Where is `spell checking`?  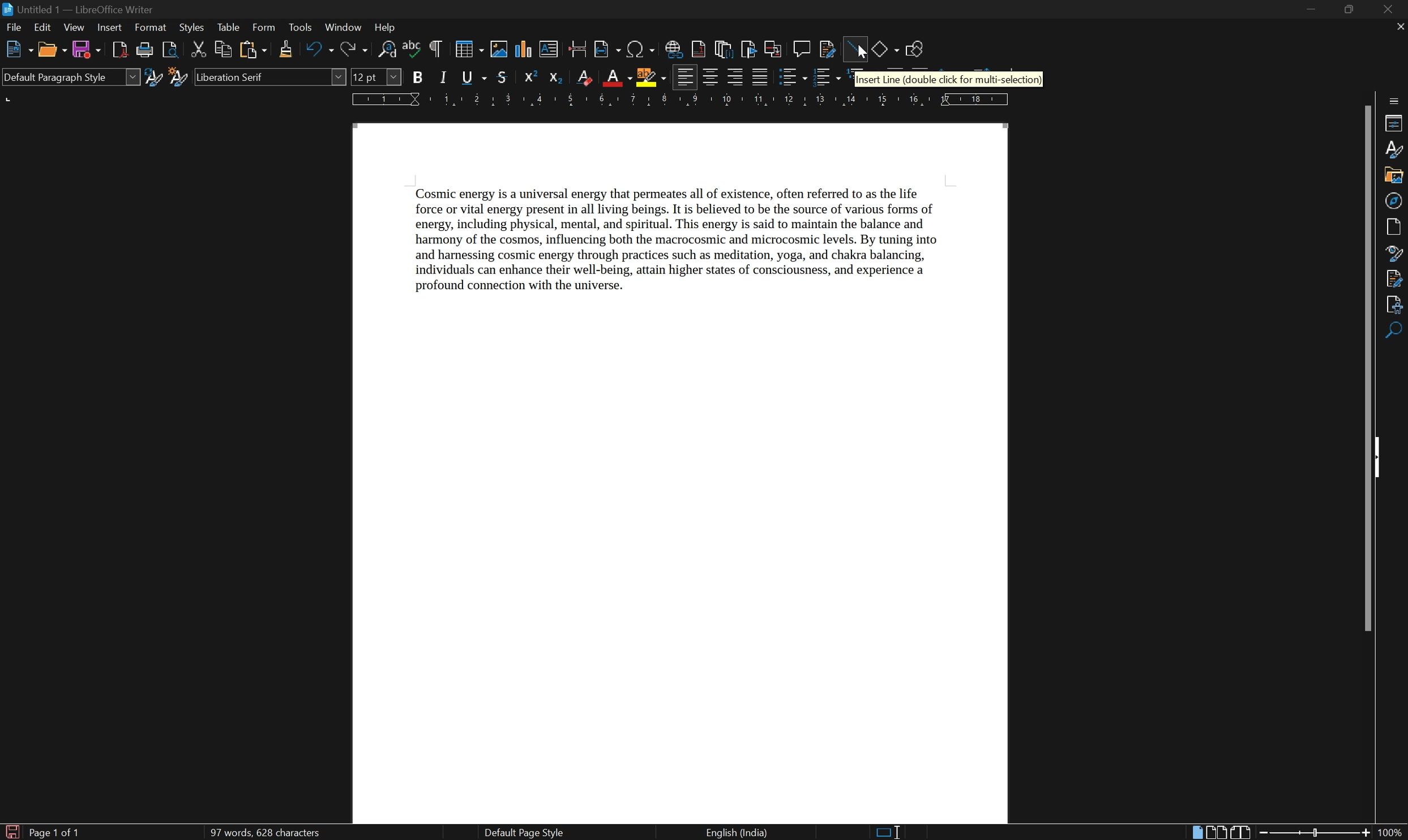 spell checking is located at coordinates (412, 50).